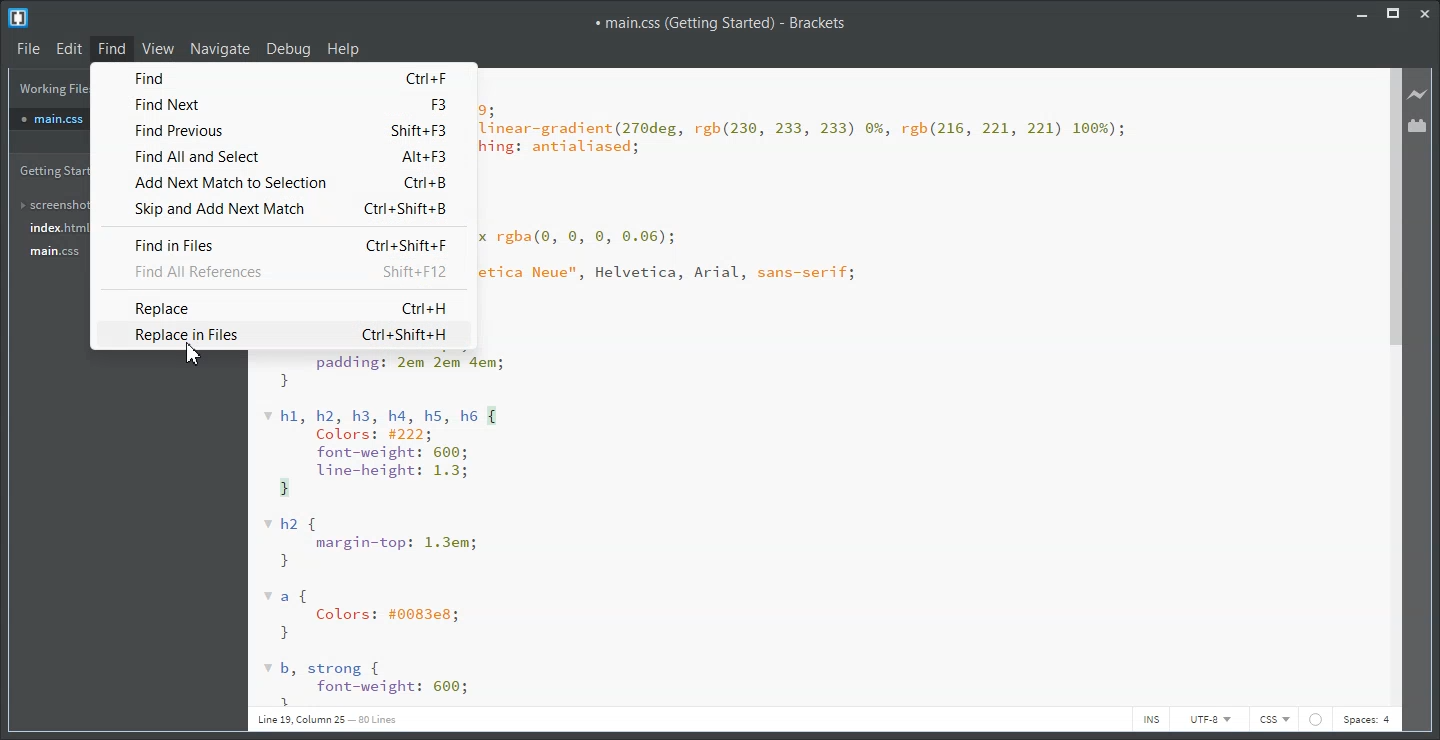 The image size is (1440, 740). What do you see at coordinates (50, 205) in the screenshot?
I see `screenshots` at bounding box center [50, 205].